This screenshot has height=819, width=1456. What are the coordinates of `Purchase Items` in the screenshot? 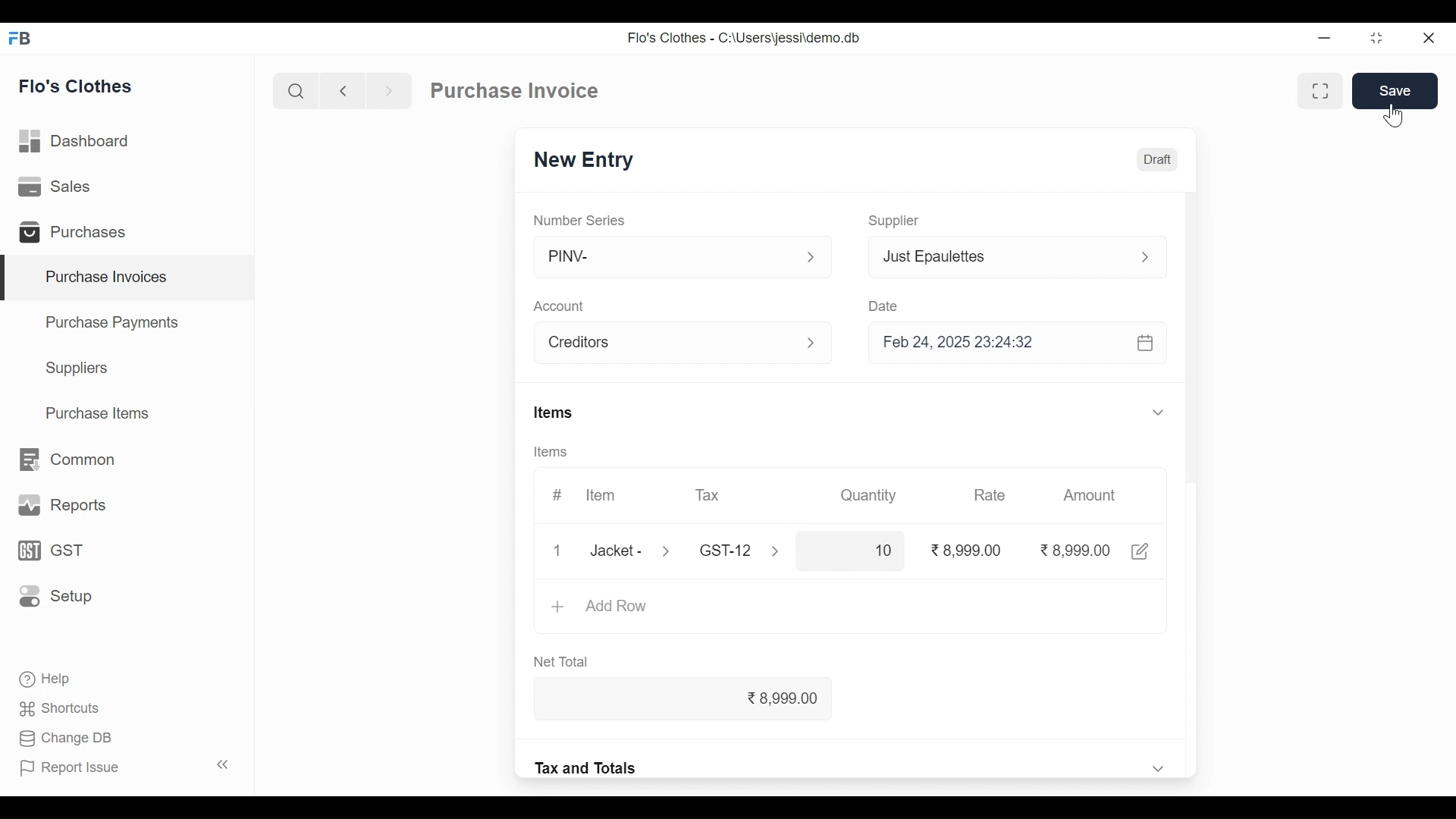 It's located at (101, 413).